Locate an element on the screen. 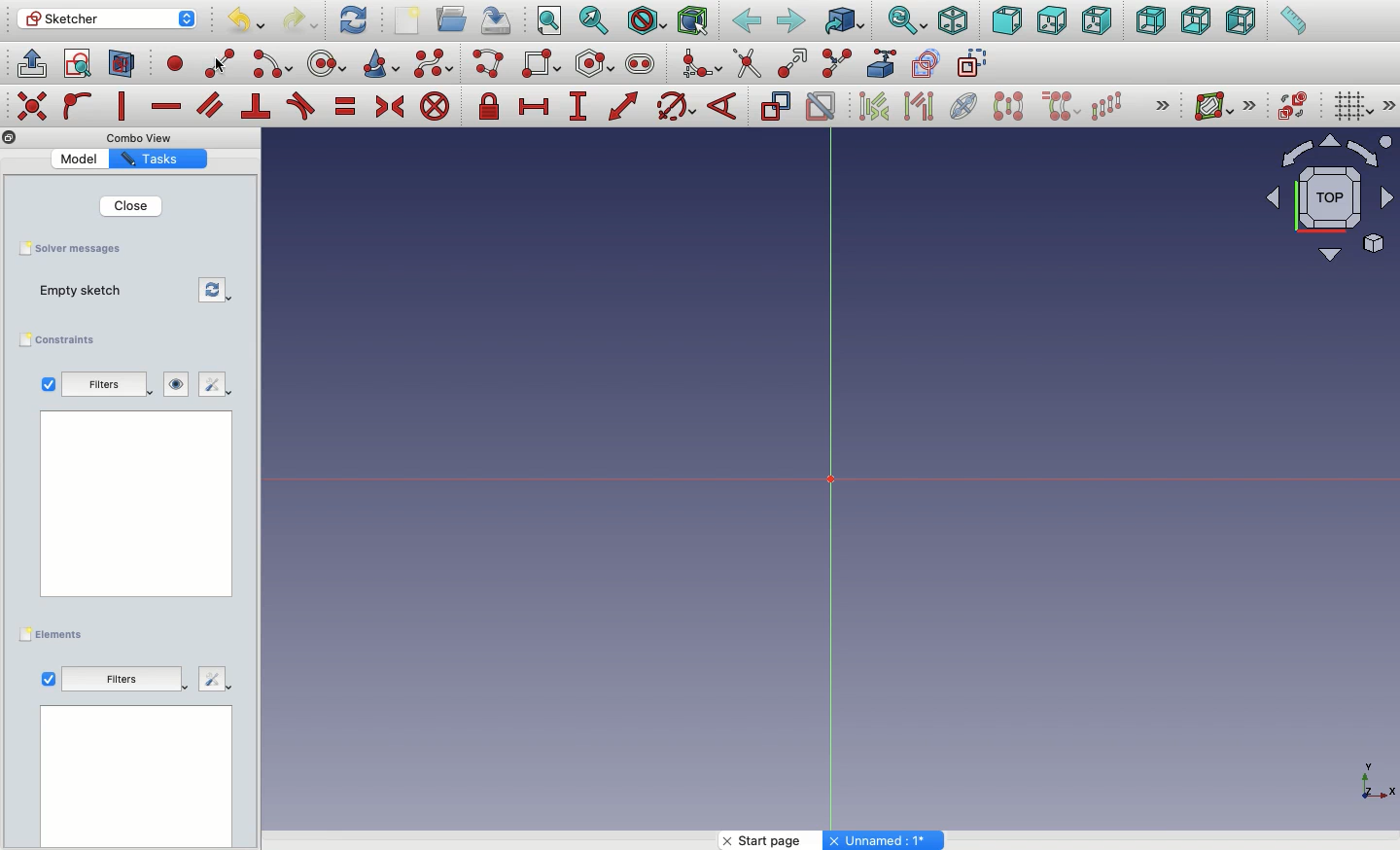 Image resolution: width=1400 pixels, height=850 pixels. Back is located at coordinates (746, 22).